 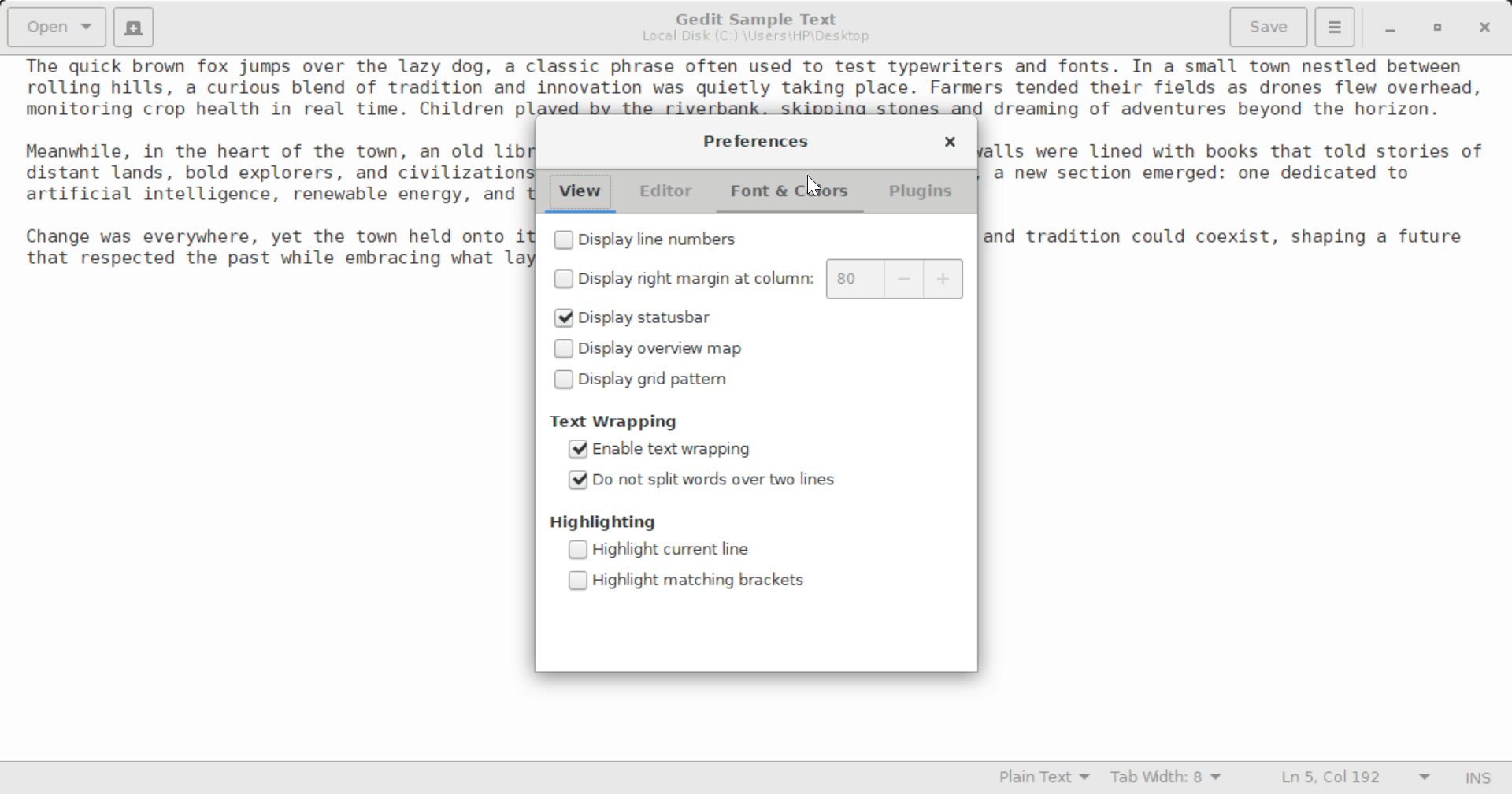 I want to click on Close Tab, so click(x=951, y=143).